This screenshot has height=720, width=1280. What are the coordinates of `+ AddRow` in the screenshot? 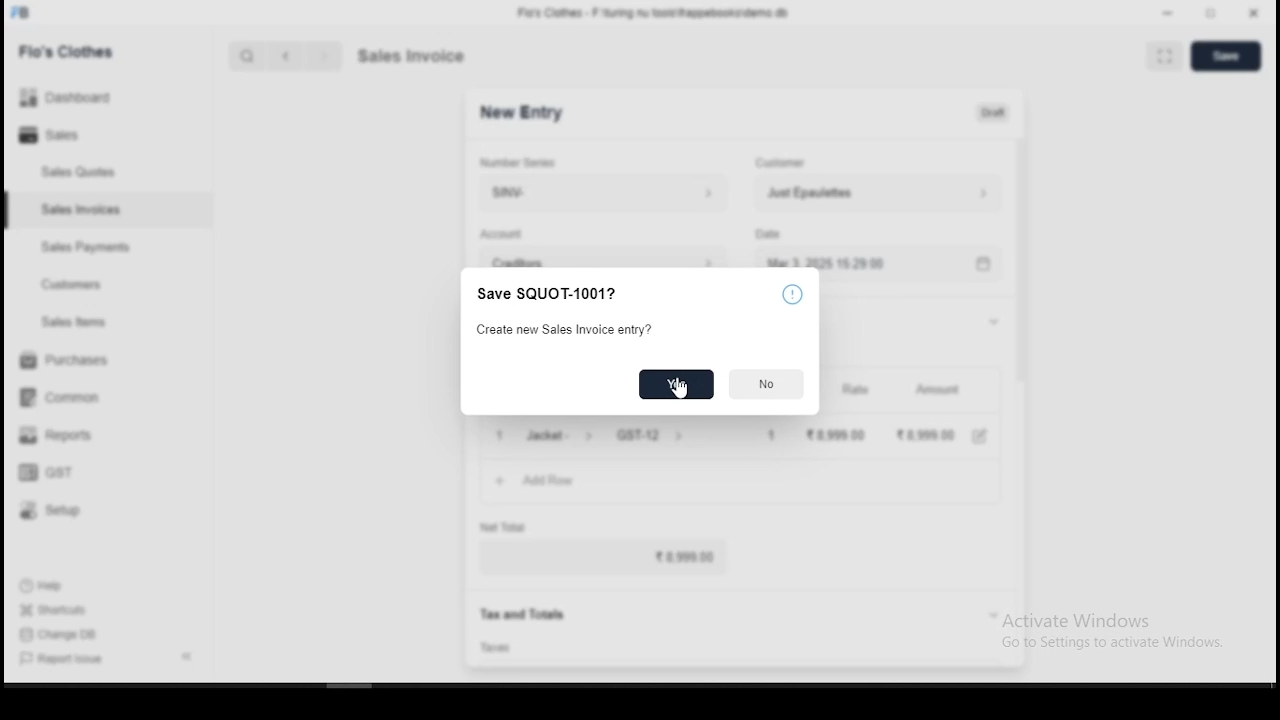 It's located at (730, 481).